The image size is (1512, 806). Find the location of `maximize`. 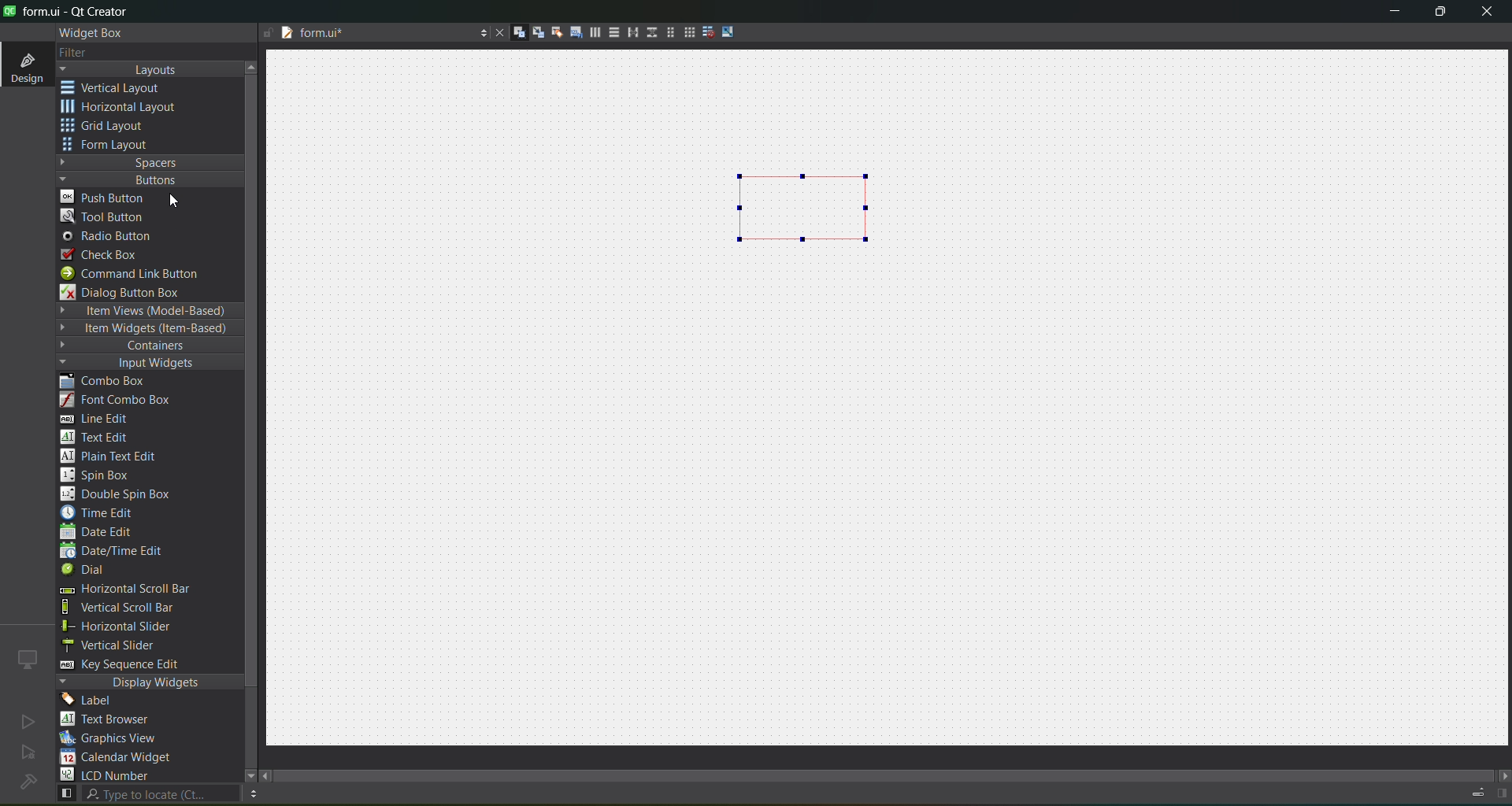

maximize is located at coordinates (1441, 14).